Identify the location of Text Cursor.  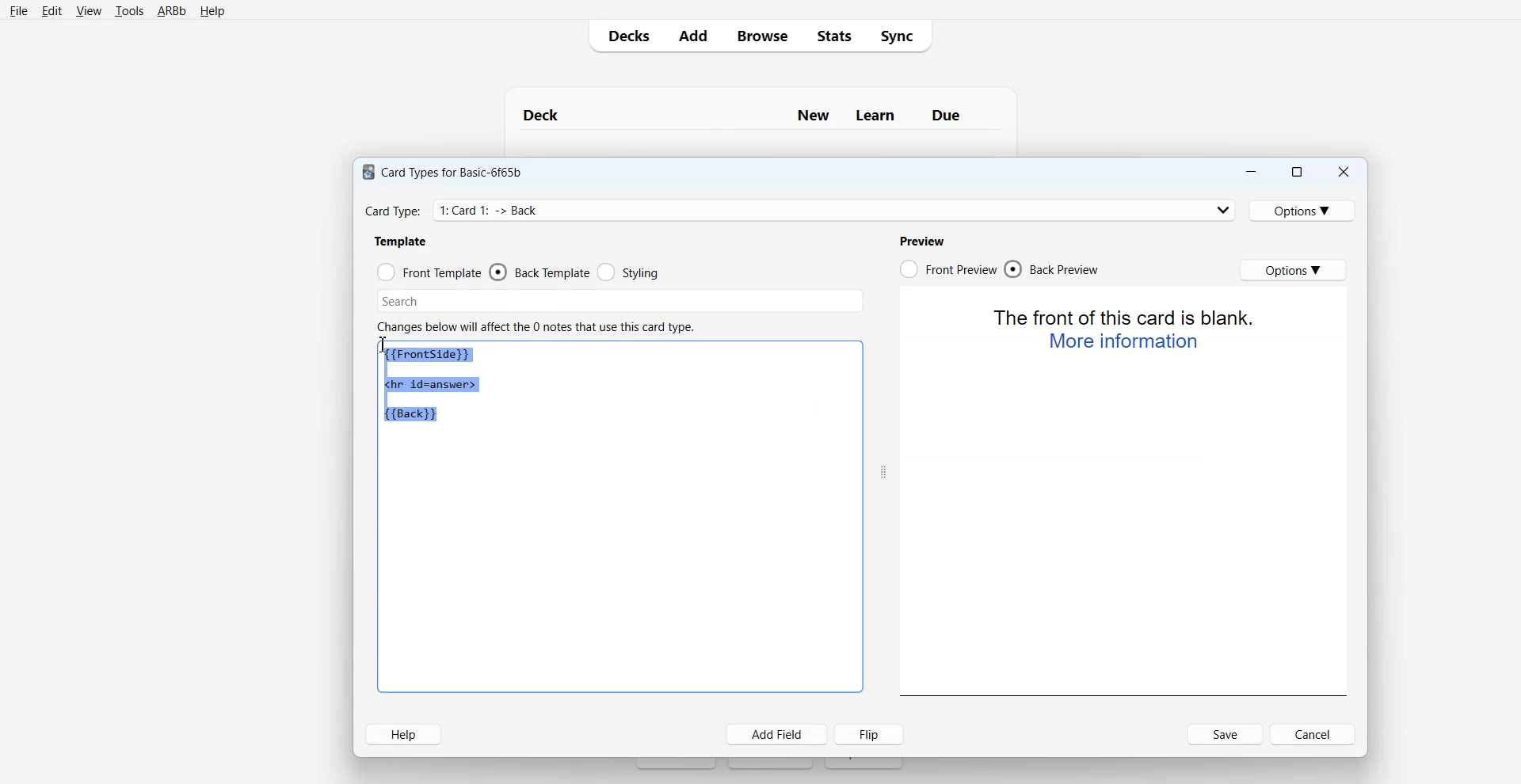
(379, 343).